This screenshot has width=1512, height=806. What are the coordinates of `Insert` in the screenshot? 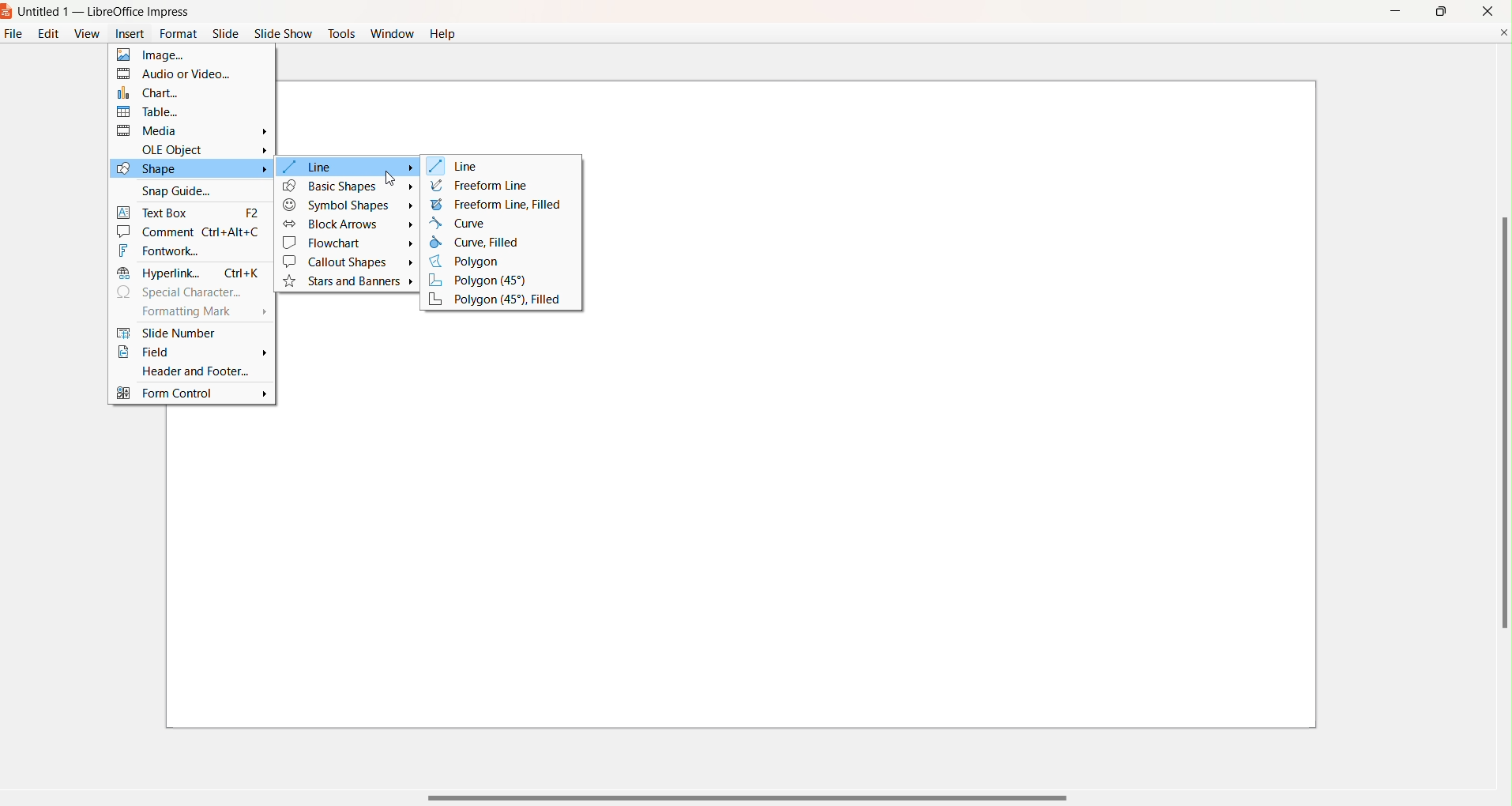 It's located at (127, 36).